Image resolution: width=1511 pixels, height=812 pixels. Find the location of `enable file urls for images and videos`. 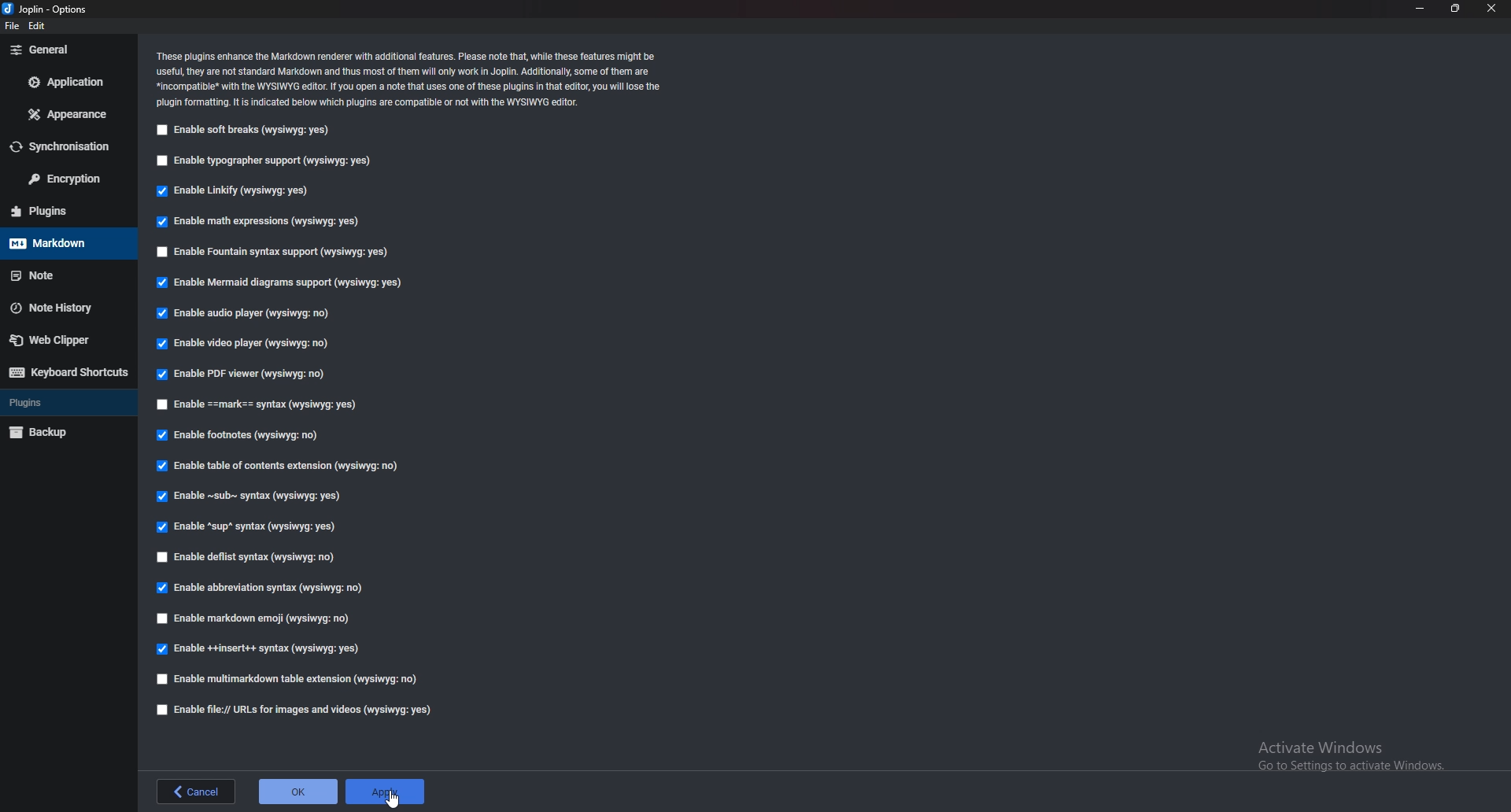

enable file urls for images and videos is located at coordinates (294, 711).